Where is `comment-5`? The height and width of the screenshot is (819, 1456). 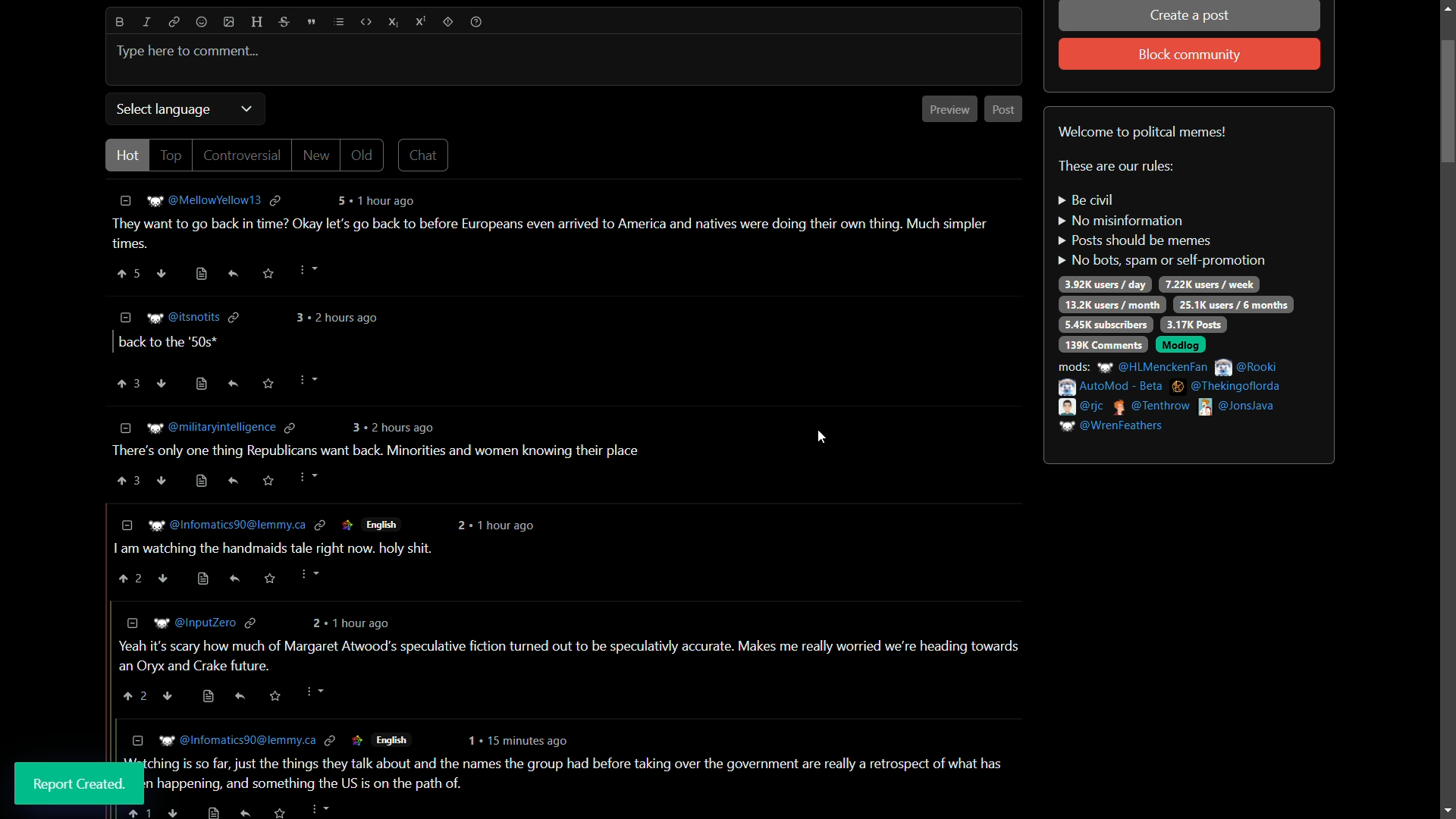 comment-5 is located at coordinates (576, 656).